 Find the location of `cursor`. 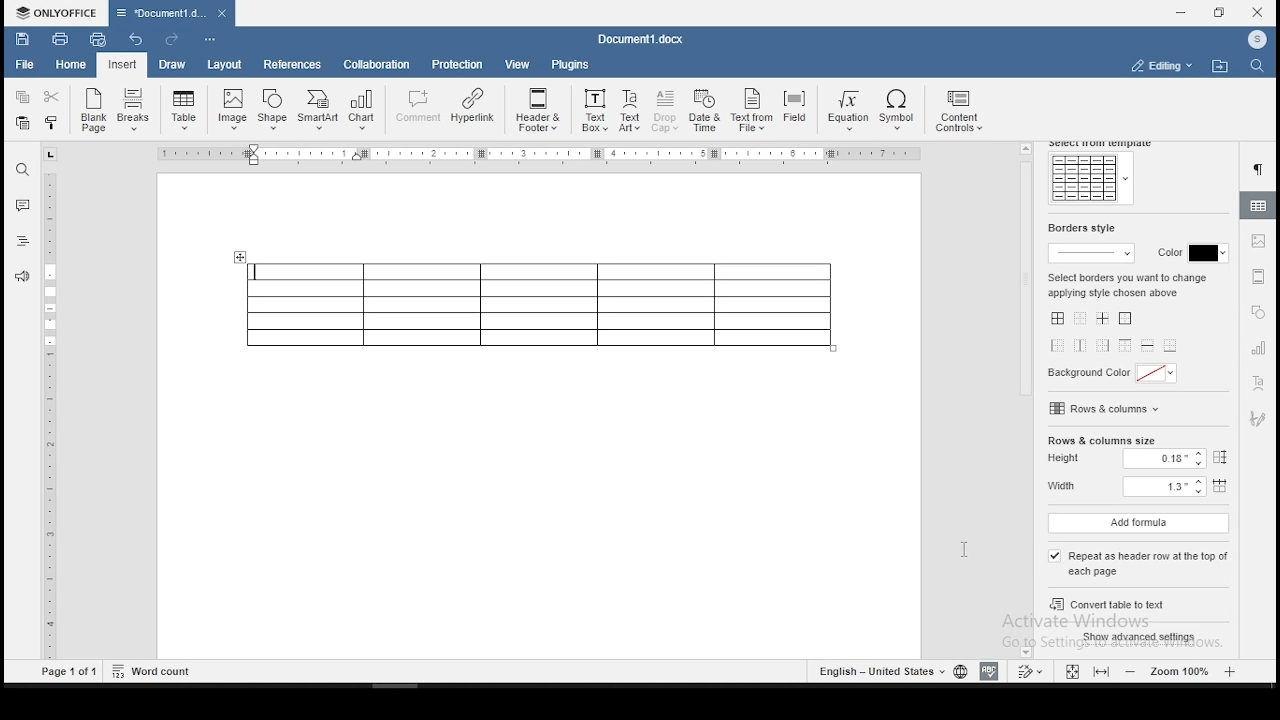

cursor is located at coordinates (1061, 562).